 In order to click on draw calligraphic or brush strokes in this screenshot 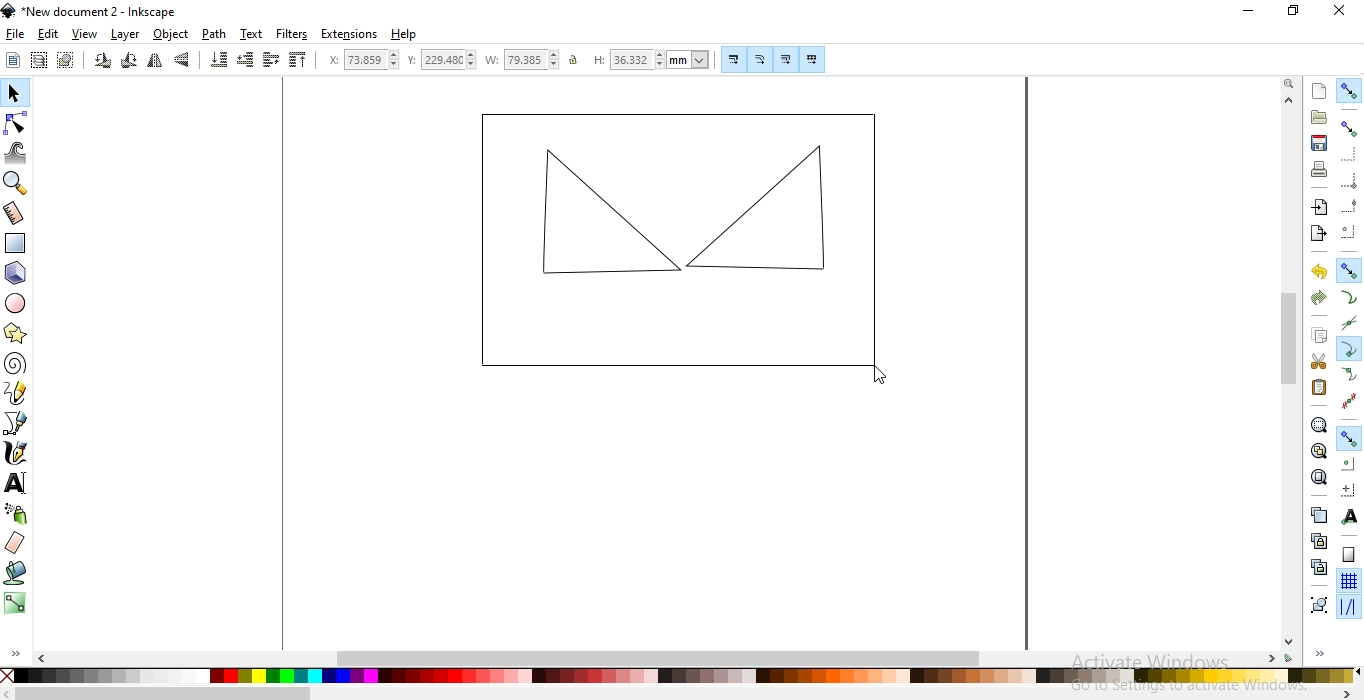, I will do `click(16, 453)`.